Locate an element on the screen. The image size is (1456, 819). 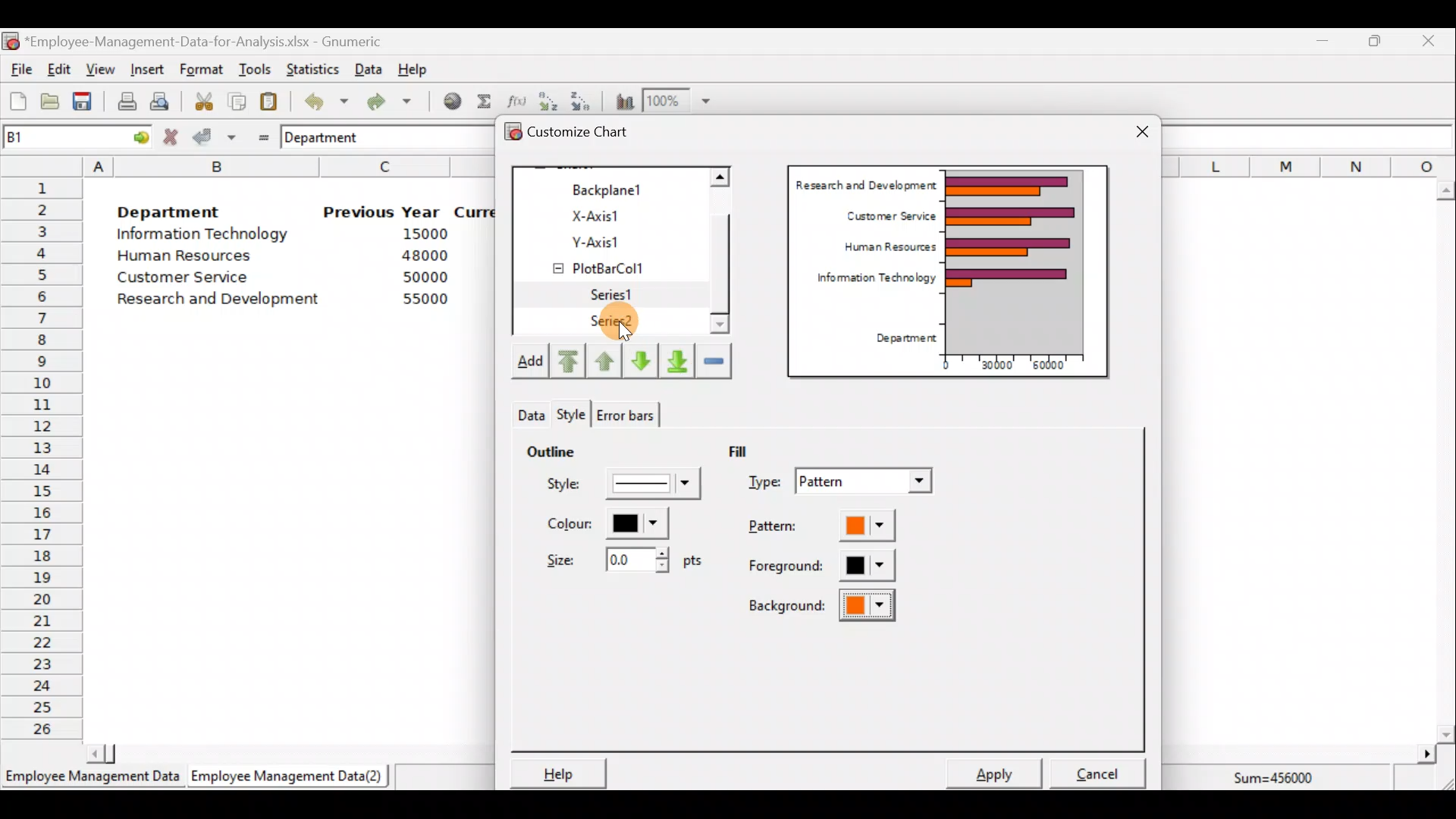
Information Technology is located at coordinates (869, 281).